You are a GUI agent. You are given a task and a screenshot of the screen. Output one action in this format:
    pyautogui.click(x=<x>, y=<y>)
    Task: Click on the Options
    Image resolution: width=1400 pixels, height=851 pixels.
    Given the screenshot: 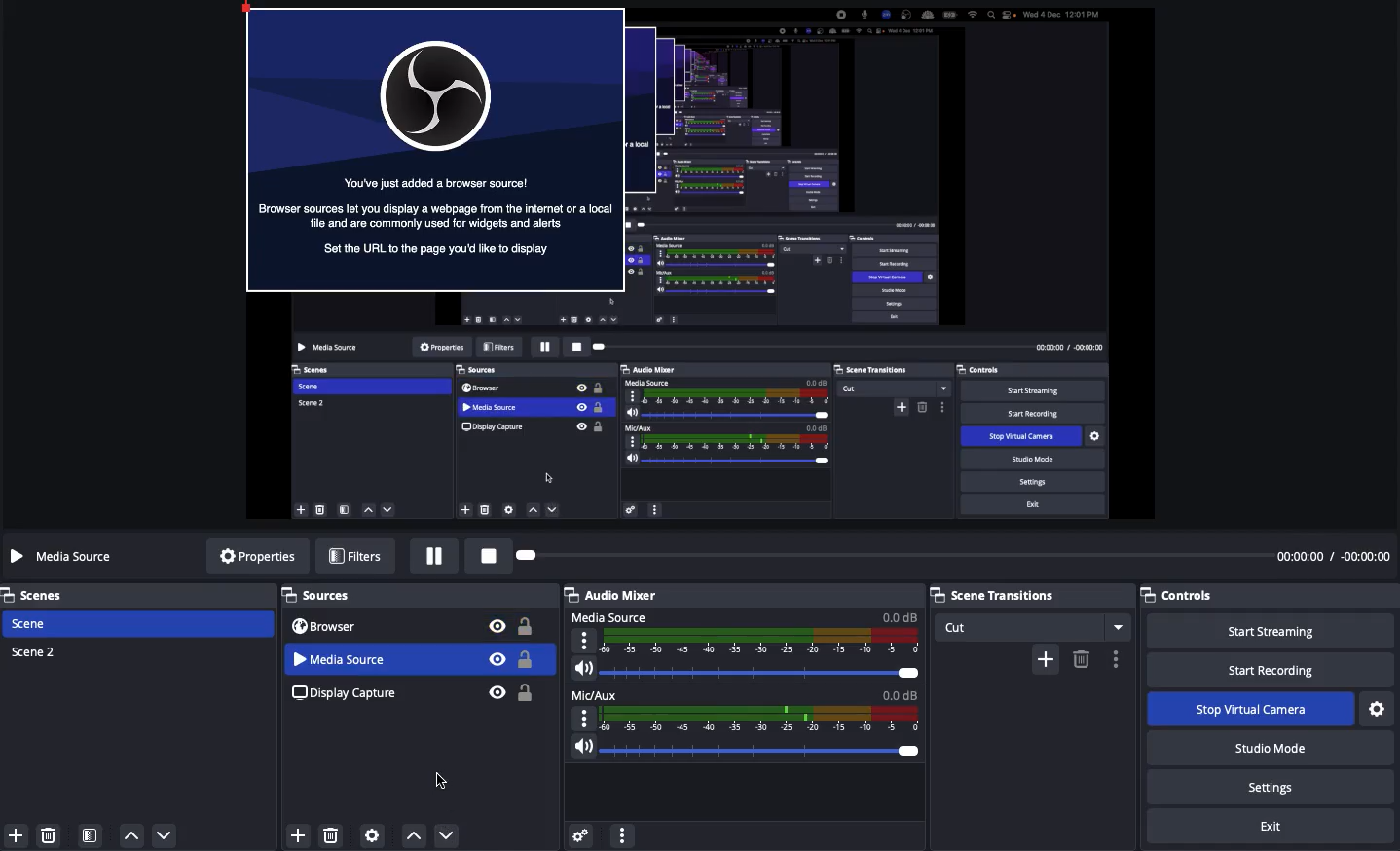 What is the action you would take?
    pyautogui.click(x=1113, y=658)
    